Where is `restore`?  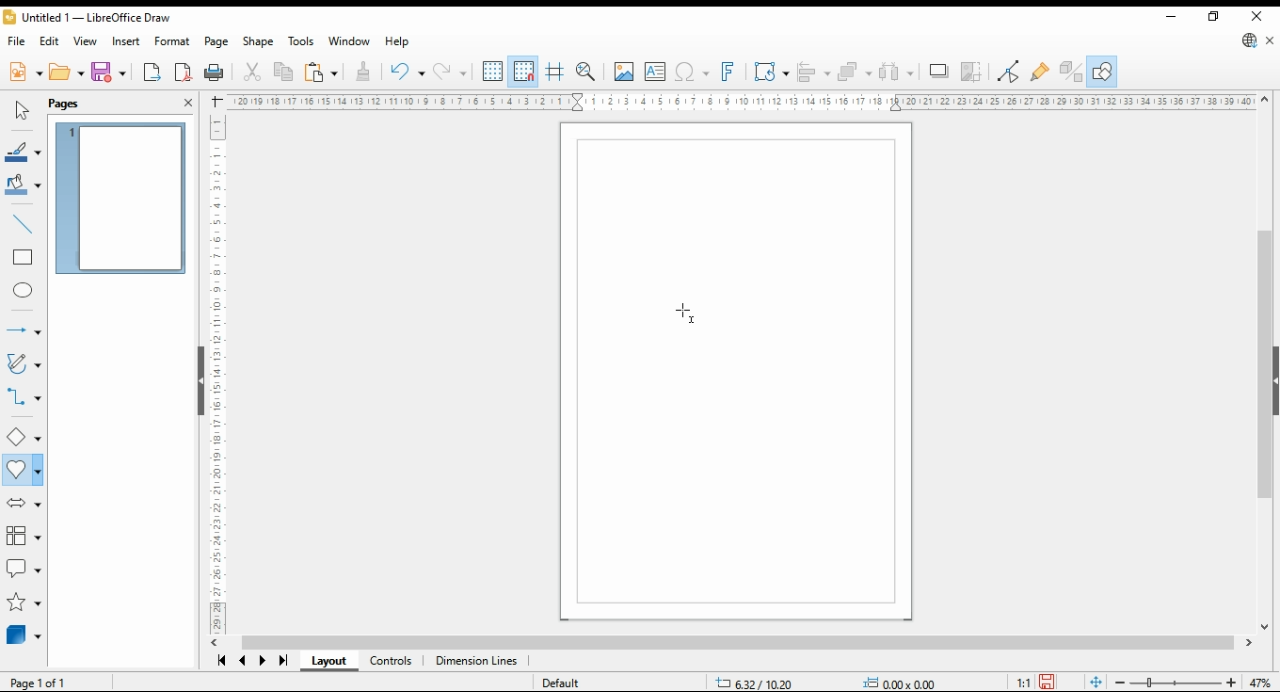 restore is located at coordinates (1213, 17).